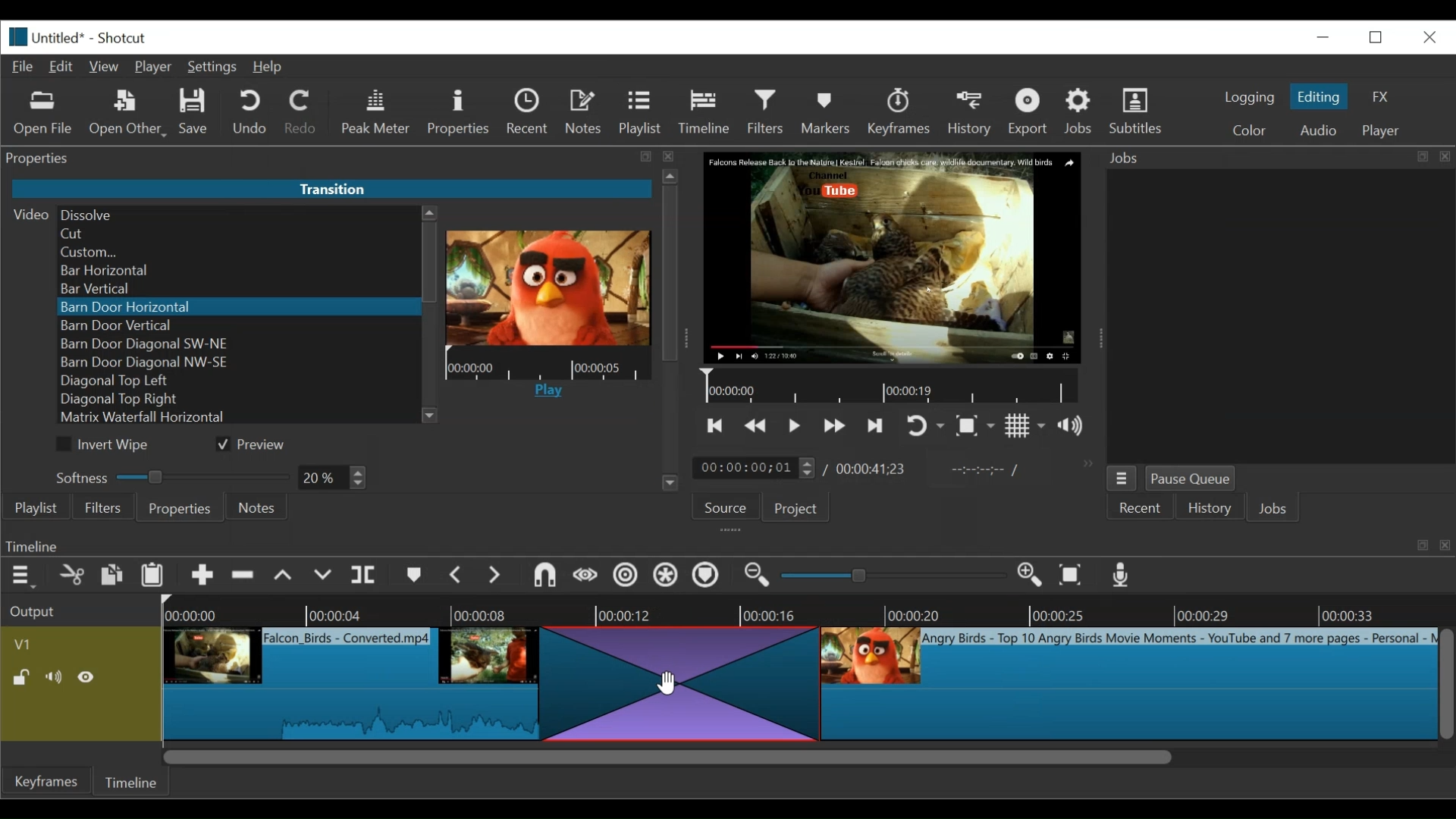  What do you see at coordinates (675, 683) in the screenshot?
I see `Transition` at bounding box center [675, 683].